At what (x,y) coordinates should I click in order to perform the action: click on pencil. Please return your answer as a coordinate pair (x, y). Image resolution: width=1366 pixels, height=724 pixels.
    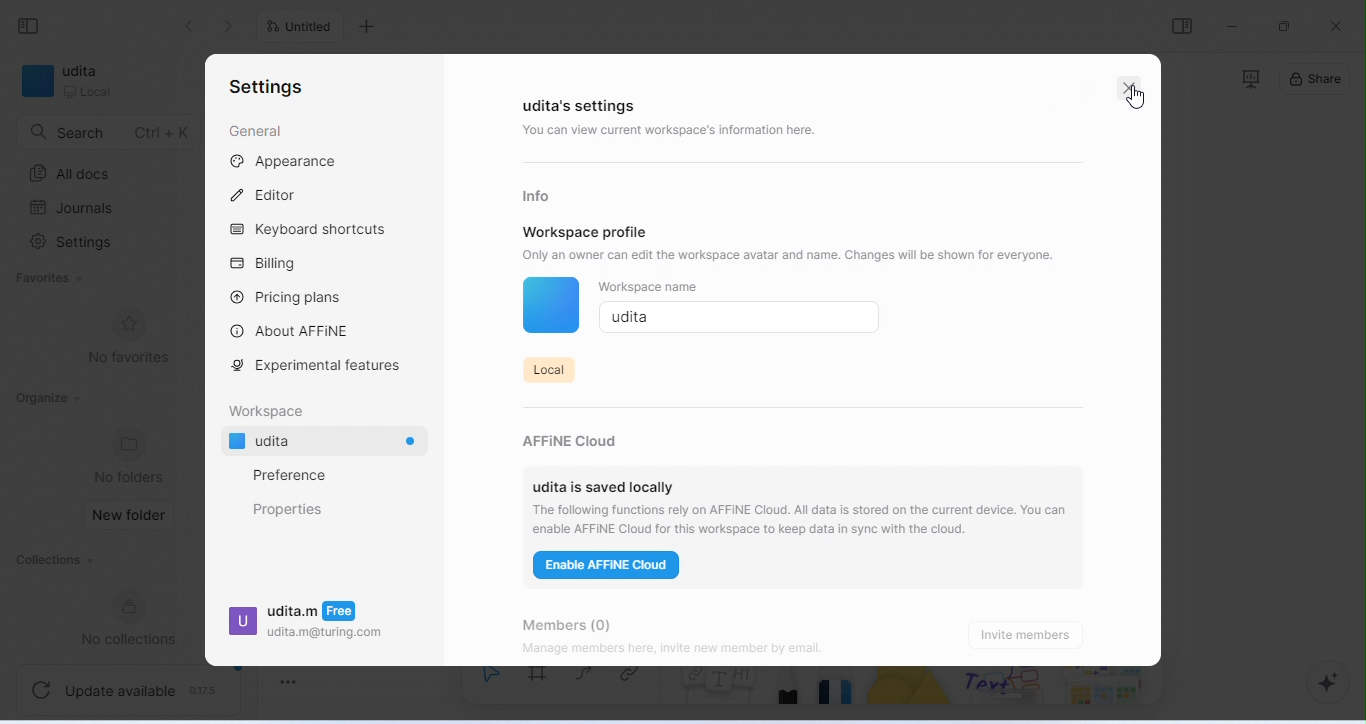
    Looking at the image, I should click on (790, 693).